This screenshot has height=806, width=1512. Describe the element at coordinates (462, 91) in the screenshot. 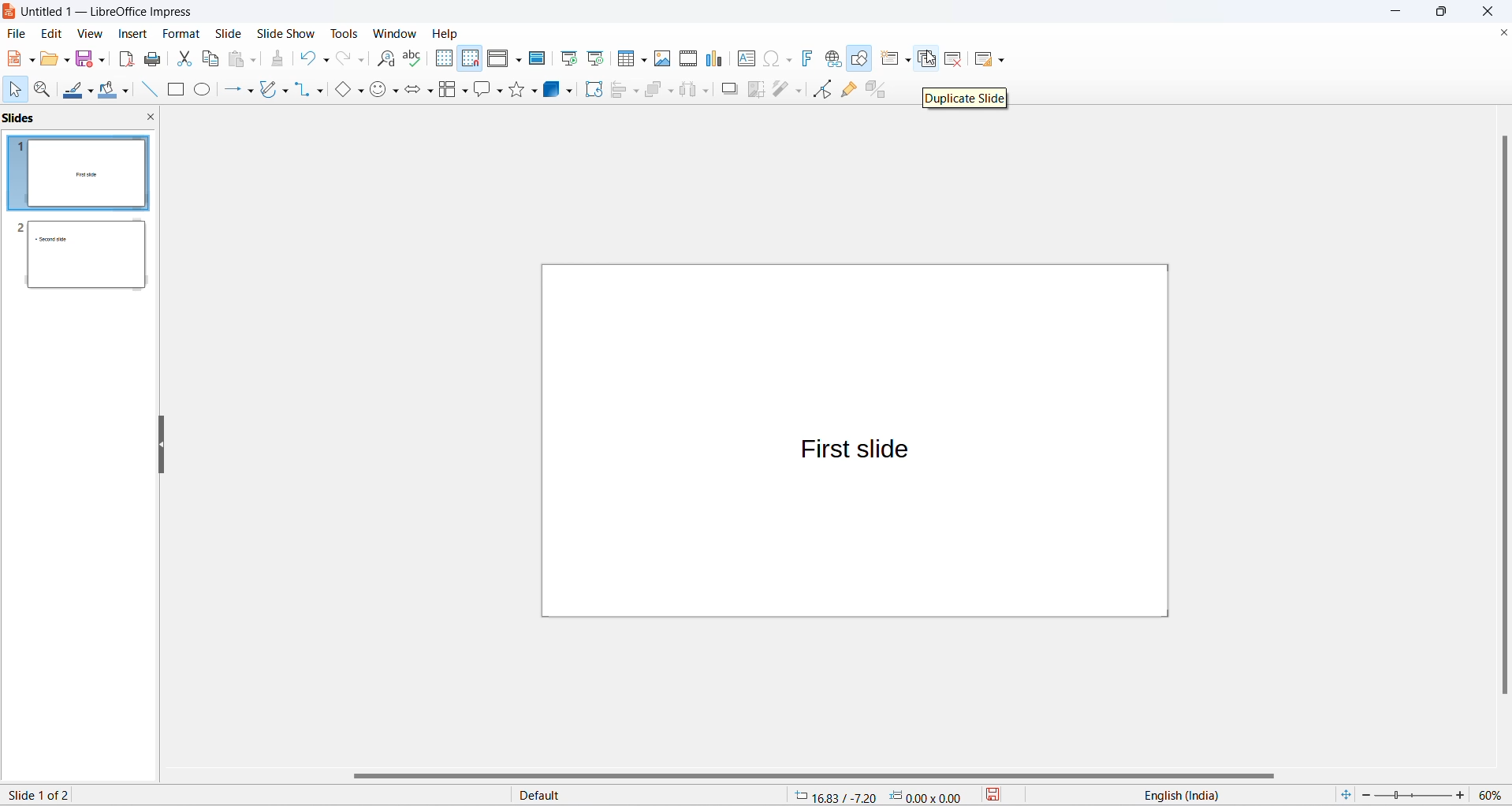

I see `flow chart options` at that location.